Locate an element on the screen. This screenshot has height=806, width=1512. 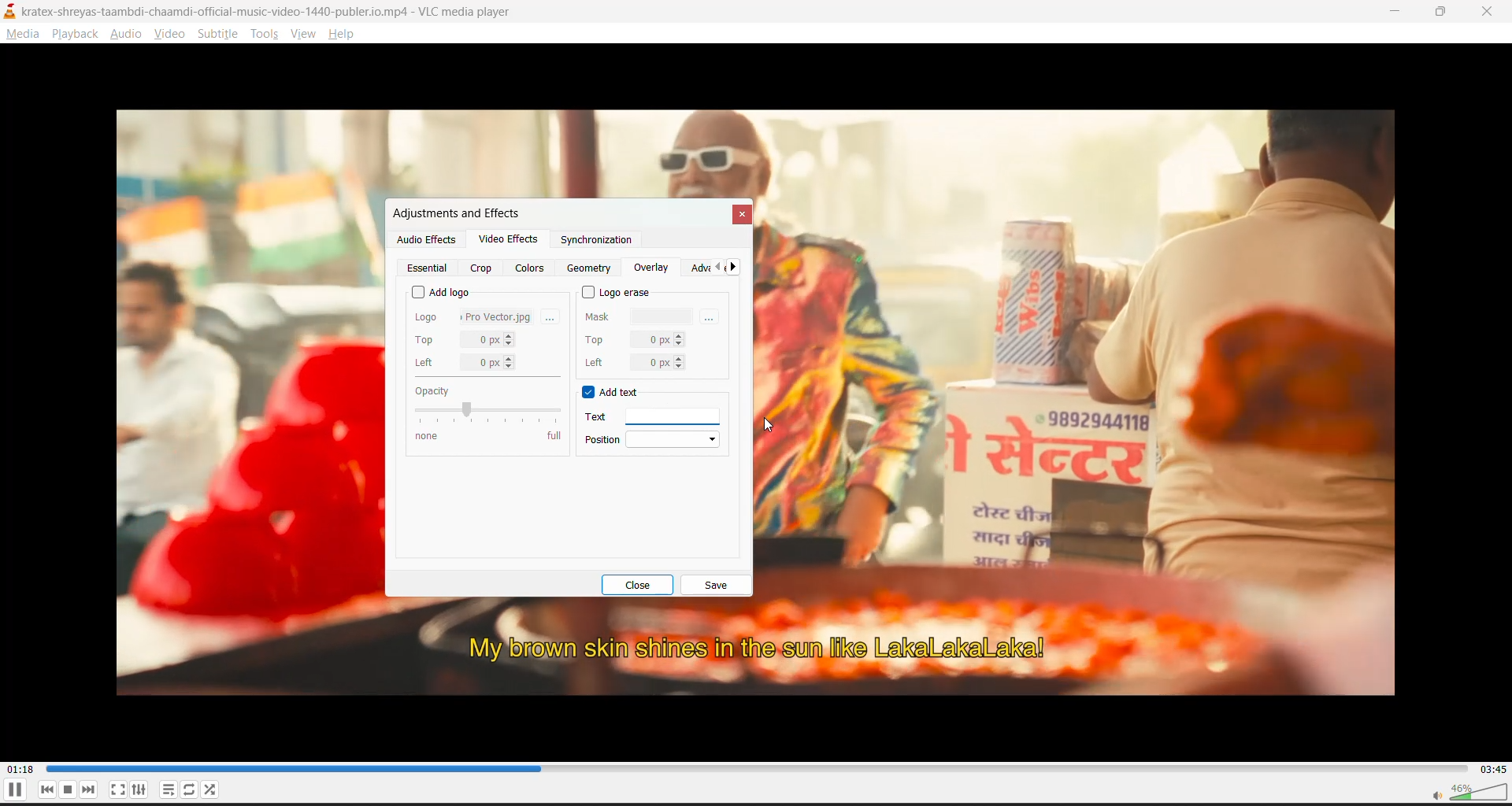
left is located at coordinates (633, 362).